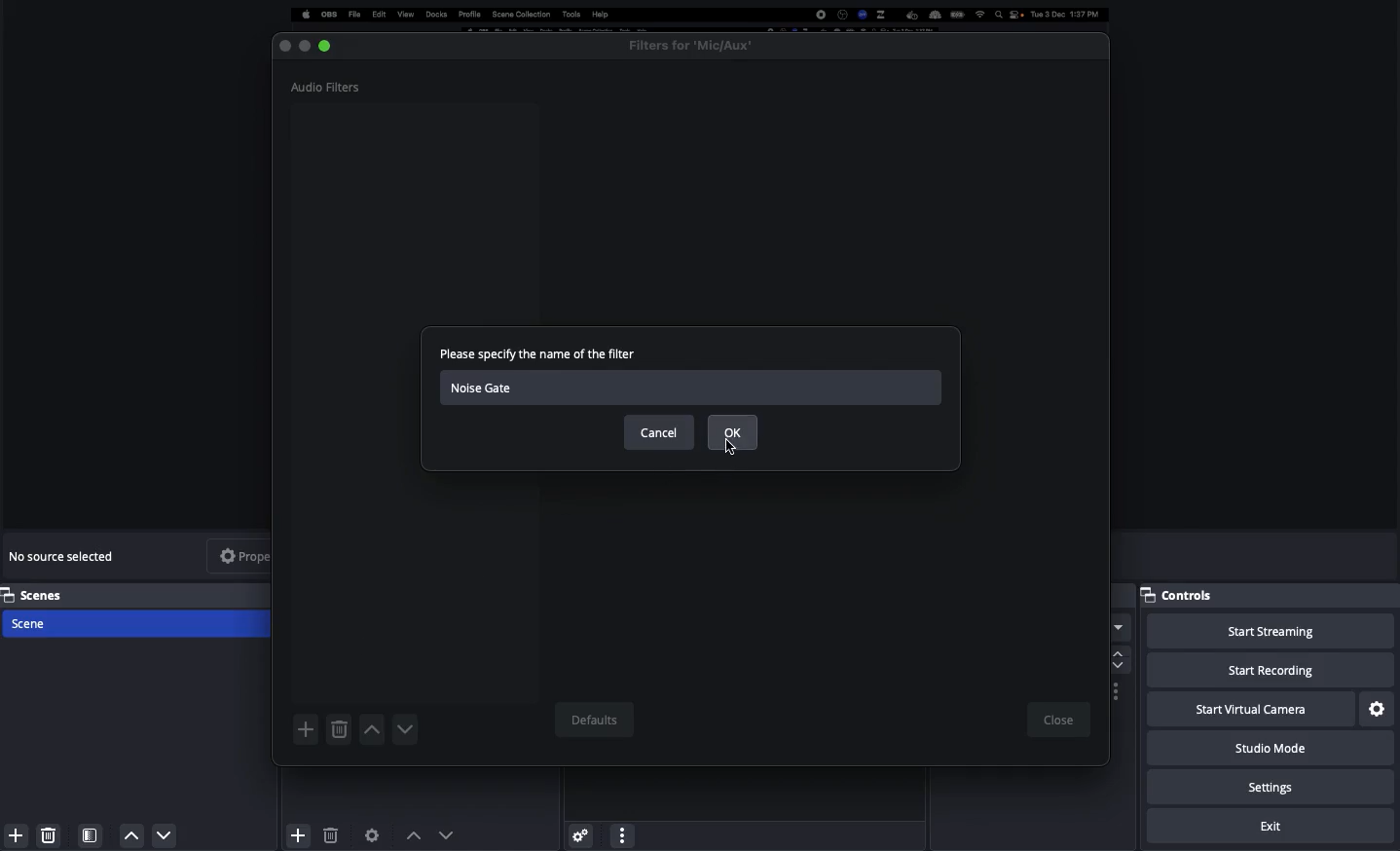 This screenshot has width=1400, height=851. Describe the element at coordinates (414, 834) in the screenshot. I see `Move up` at that location.